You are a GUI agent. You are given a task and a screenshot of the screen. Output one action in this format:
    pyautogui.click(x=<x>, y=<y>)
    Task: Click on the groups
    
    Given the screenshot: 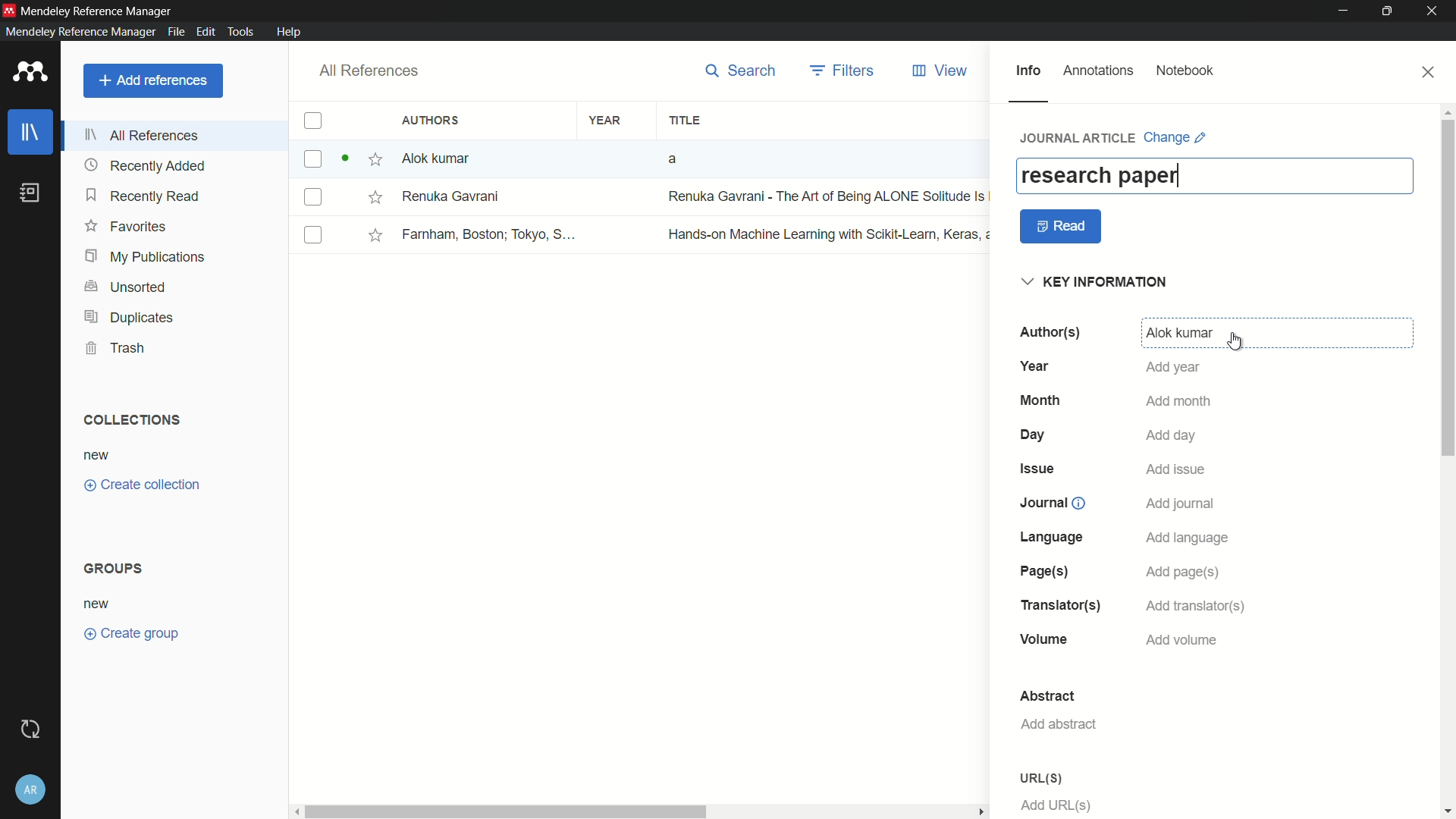 What is the action you would take?
    pyautogui.click(x=116, y=567)
    